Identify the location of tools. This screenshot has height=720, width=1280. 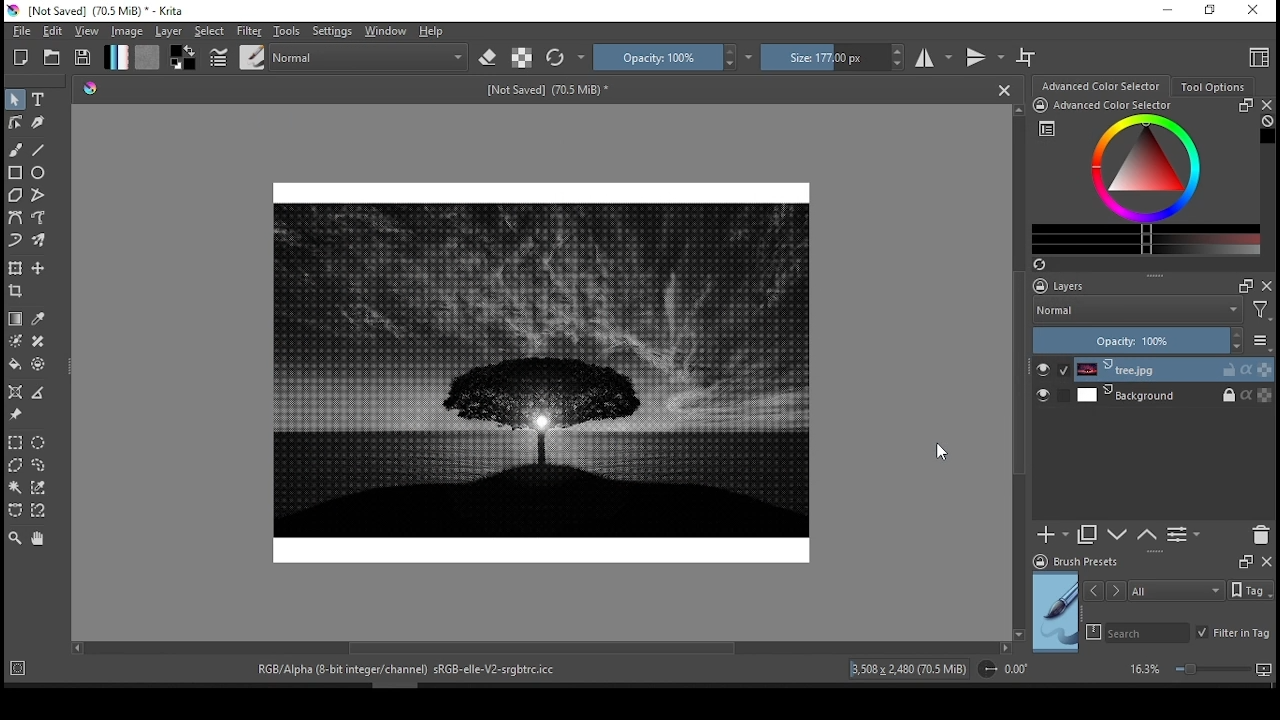
(286, 31).